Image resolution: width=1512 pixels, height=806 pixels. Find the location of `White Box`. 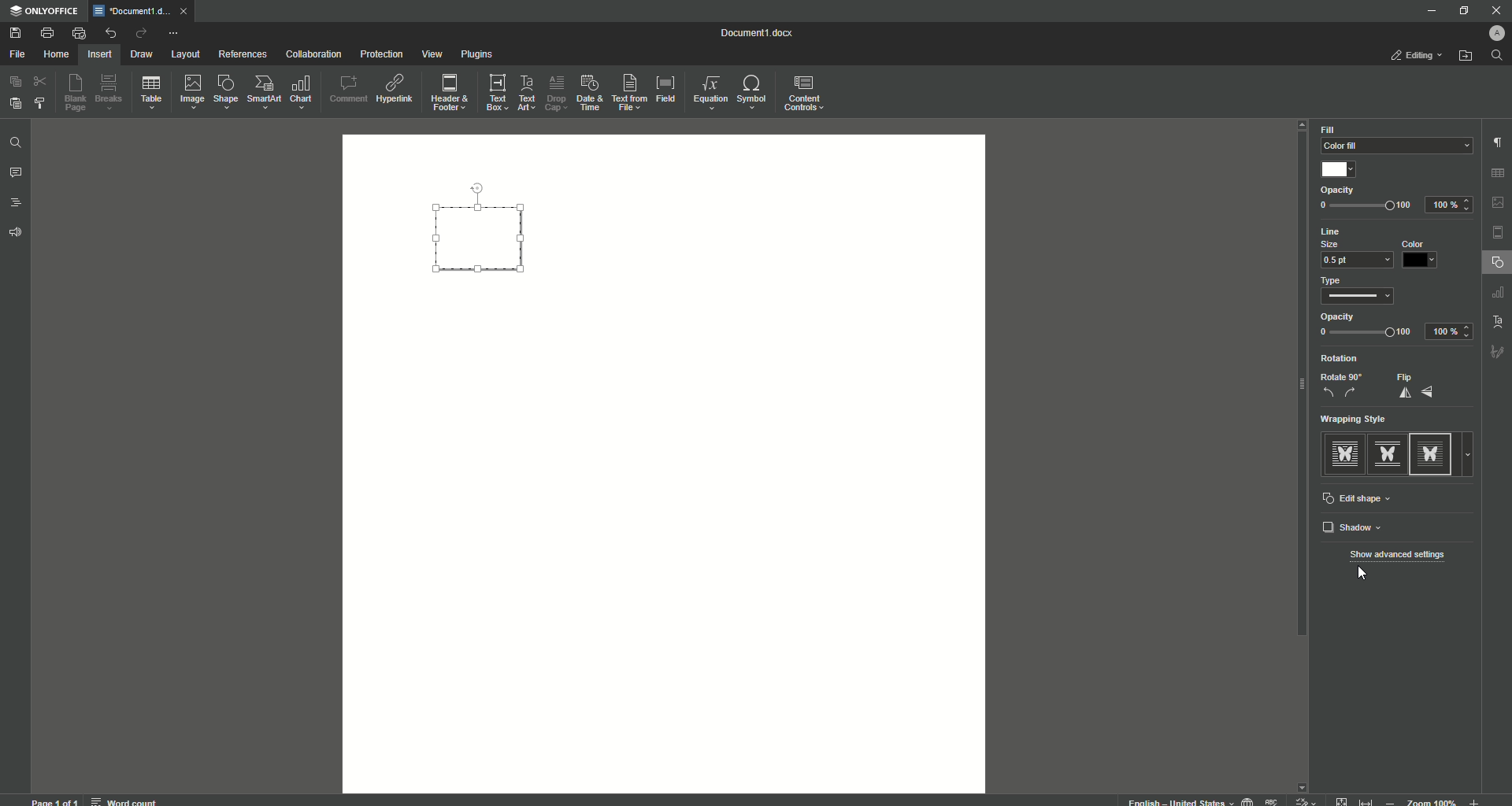

White Box is located at coordinates (1340, 169).